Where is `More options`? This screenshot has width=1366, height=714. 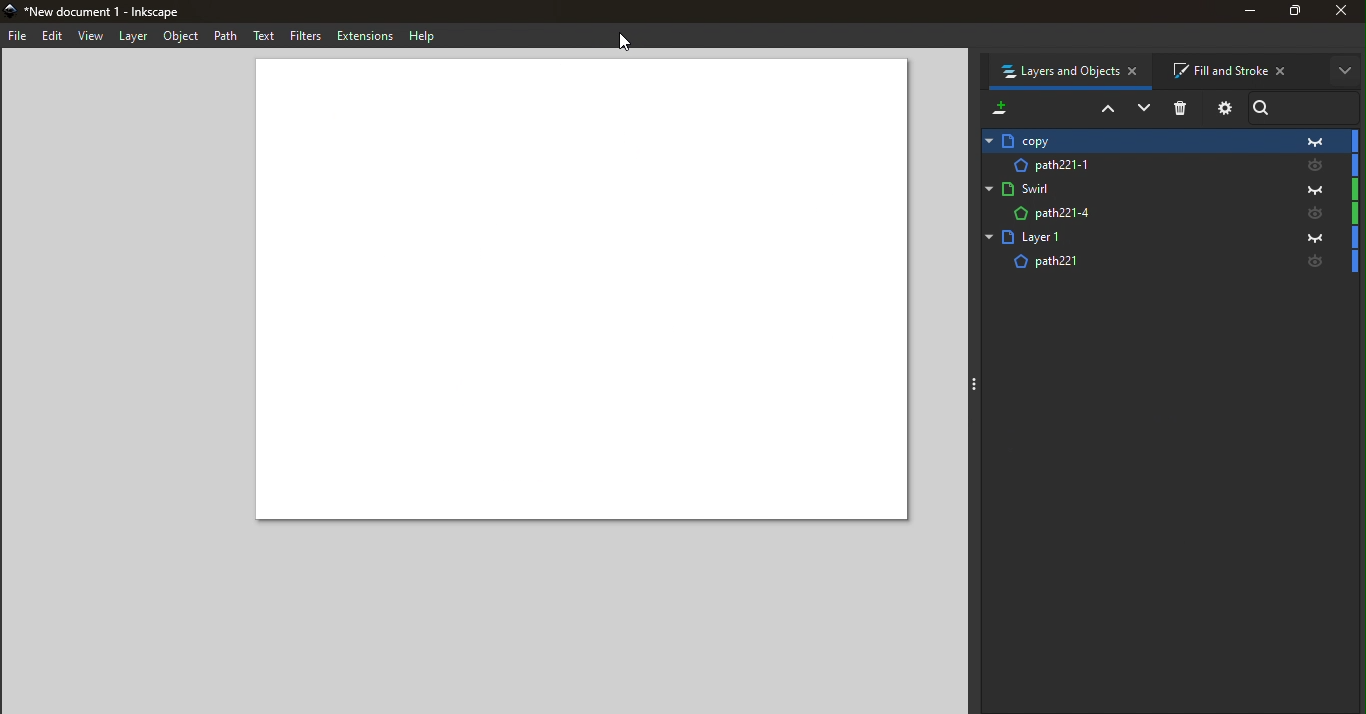 More options is located at coordinates (1348, 73).